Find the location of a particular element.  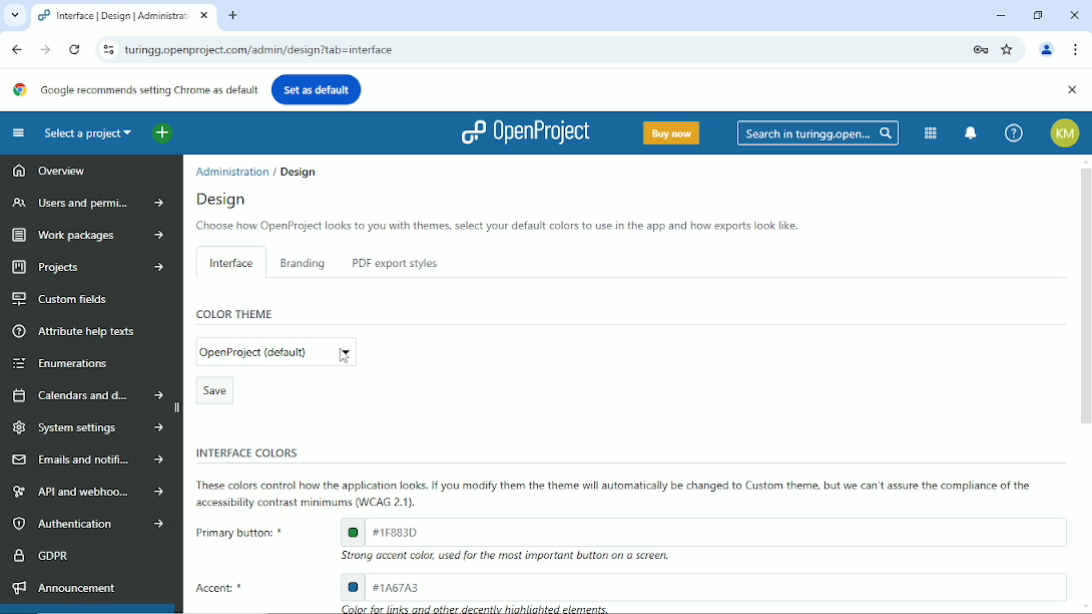

INTERFACE COLORS is located at coordinates (243, 452).